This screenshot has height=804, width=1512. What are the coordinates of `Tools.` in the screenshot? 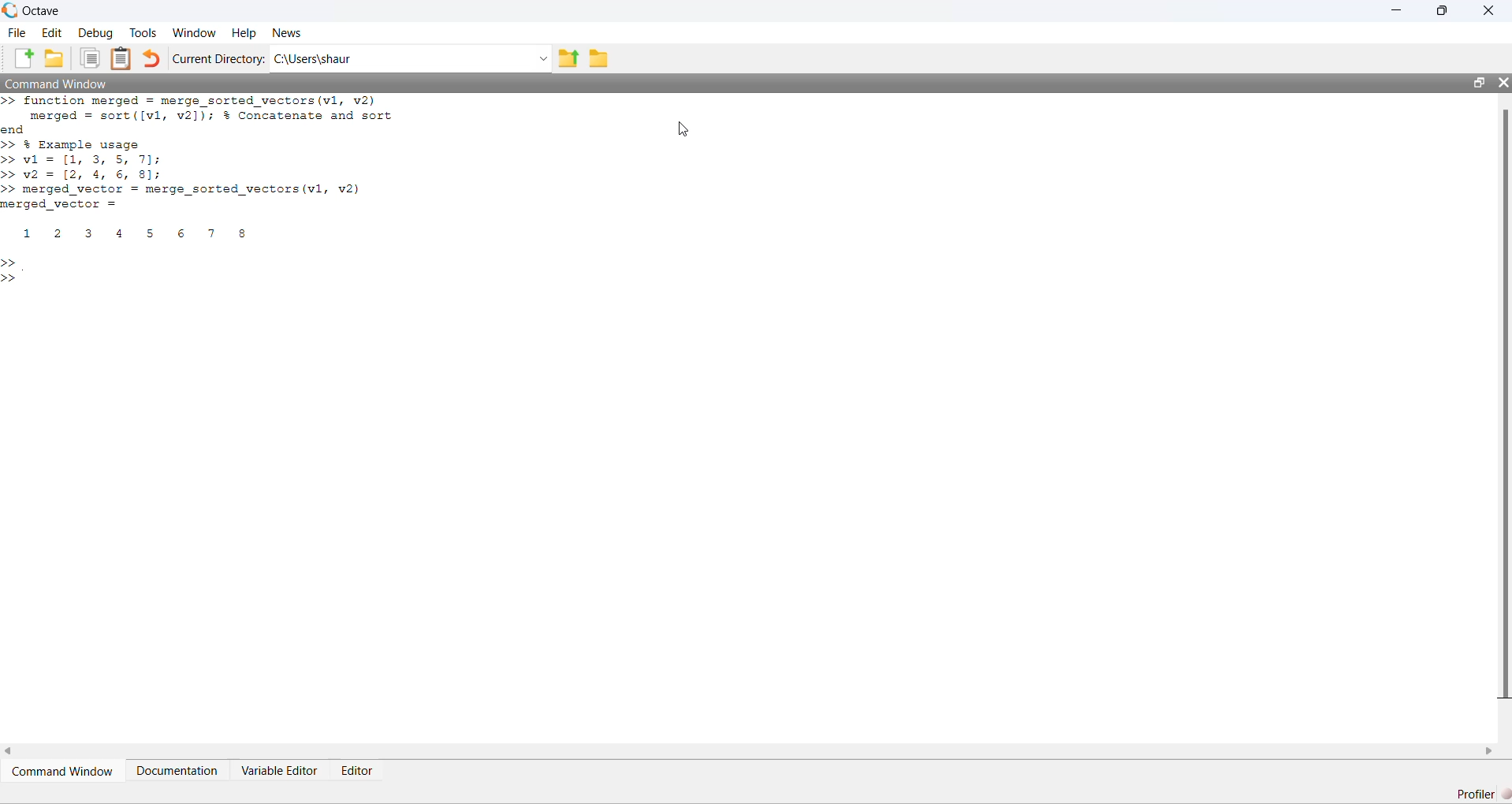 It's located at (143, 33).